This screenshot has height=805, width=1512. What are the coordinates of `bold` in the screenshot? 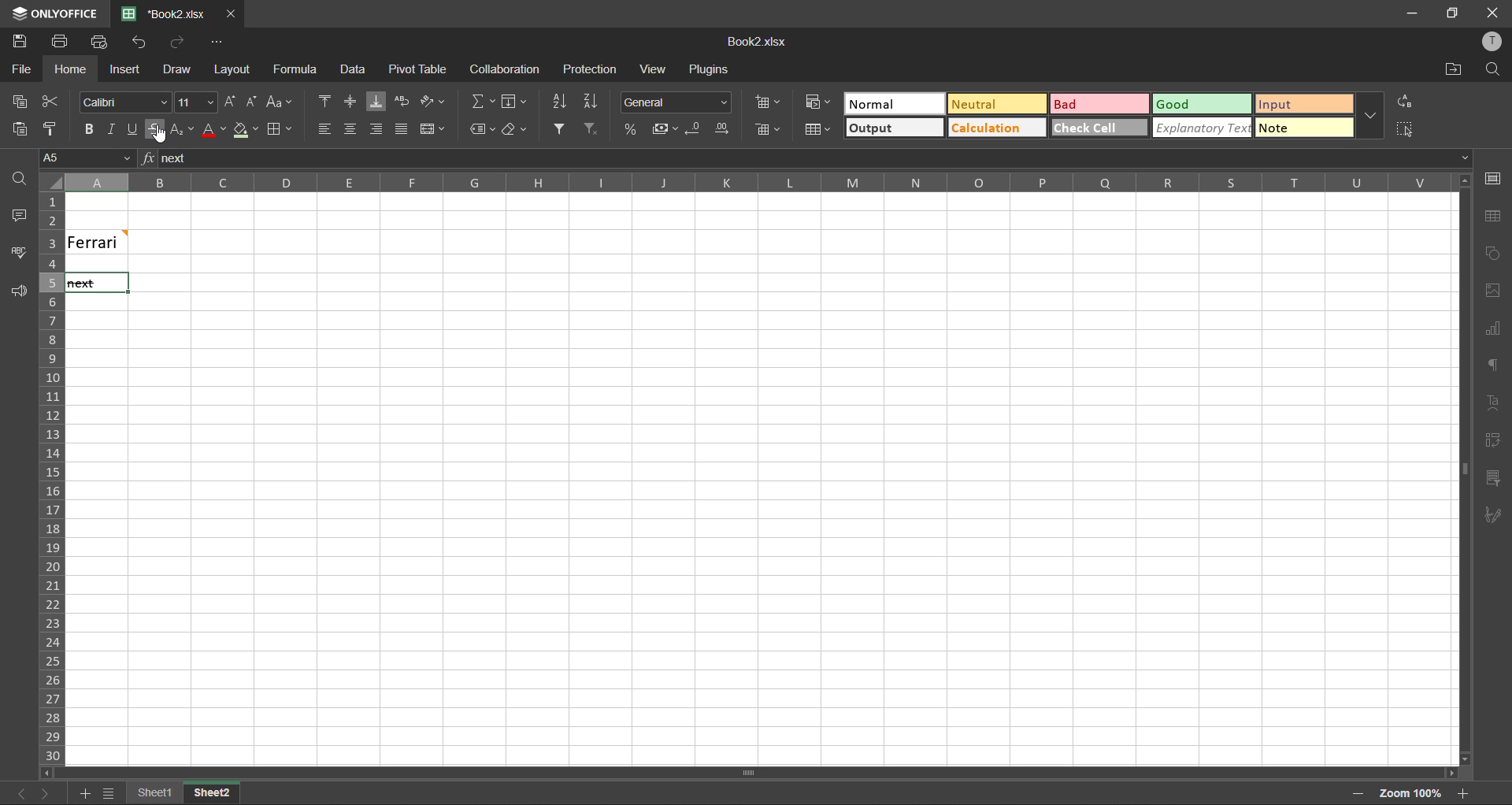 It's located at (90, 131).